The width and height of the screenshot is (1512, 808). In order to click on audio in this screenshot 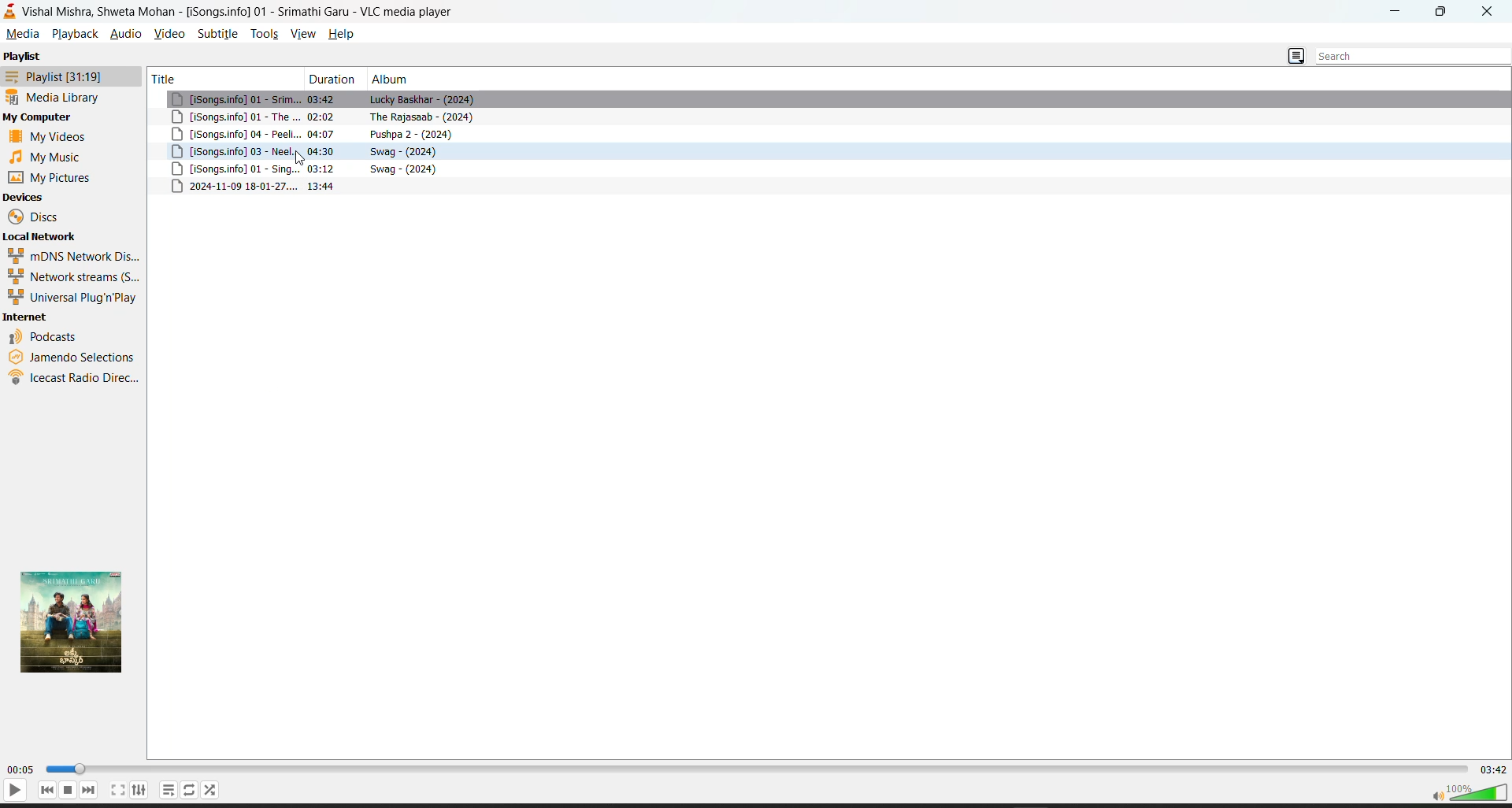, I will do `click(127, 32)`.